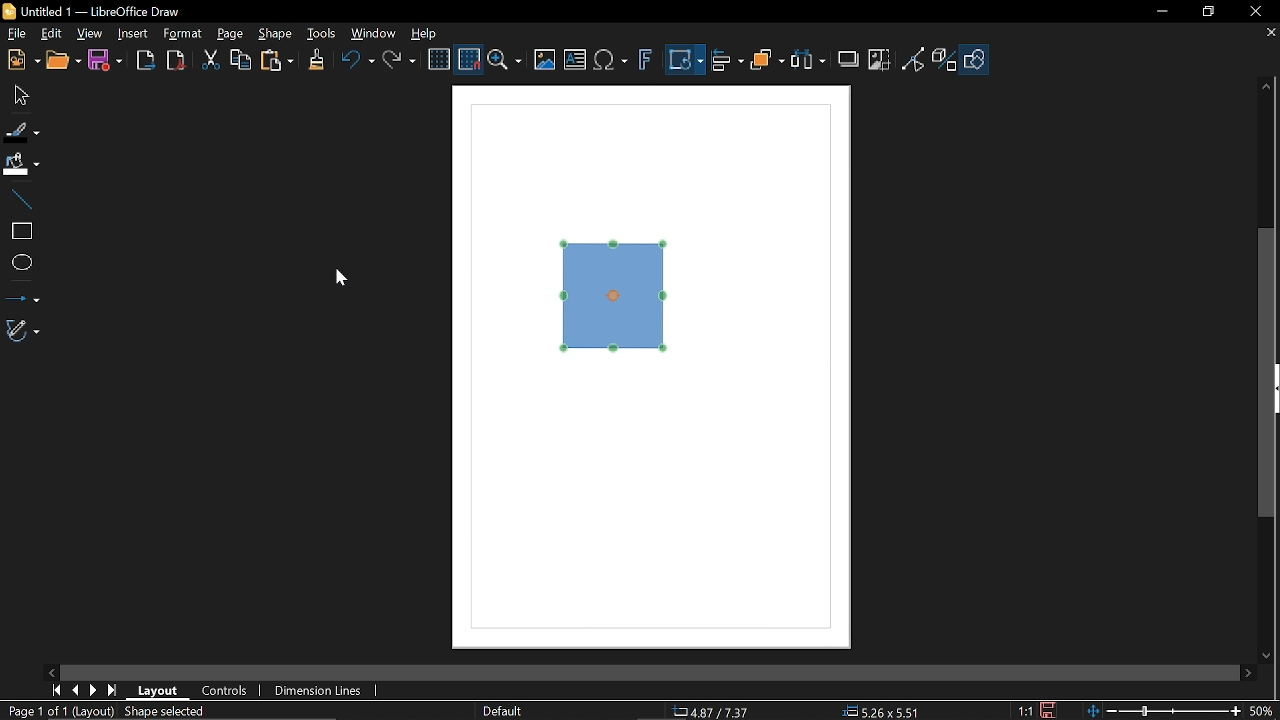 The height and width of the screenshot is (720, 1280). I want to click on restore down, so click(1209, 13).